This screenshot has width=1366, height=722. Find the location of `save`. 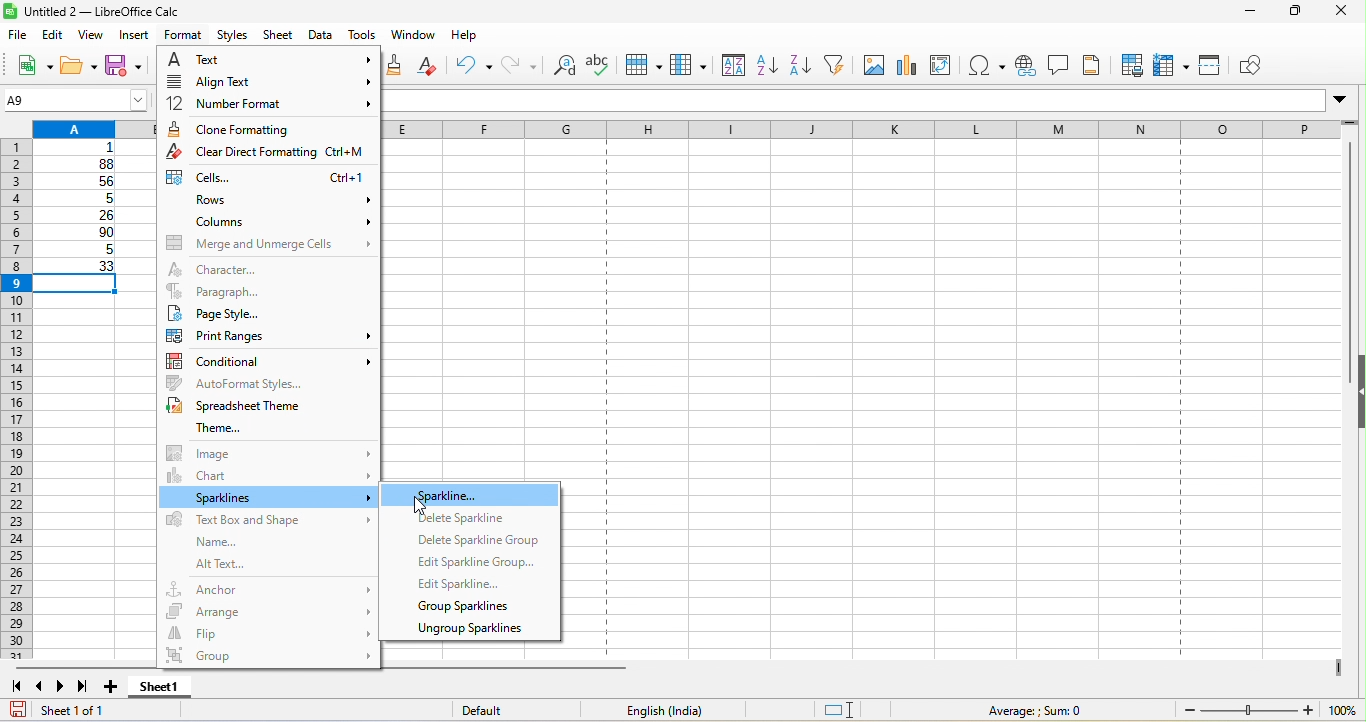

save is located at coordinates (128, 68).